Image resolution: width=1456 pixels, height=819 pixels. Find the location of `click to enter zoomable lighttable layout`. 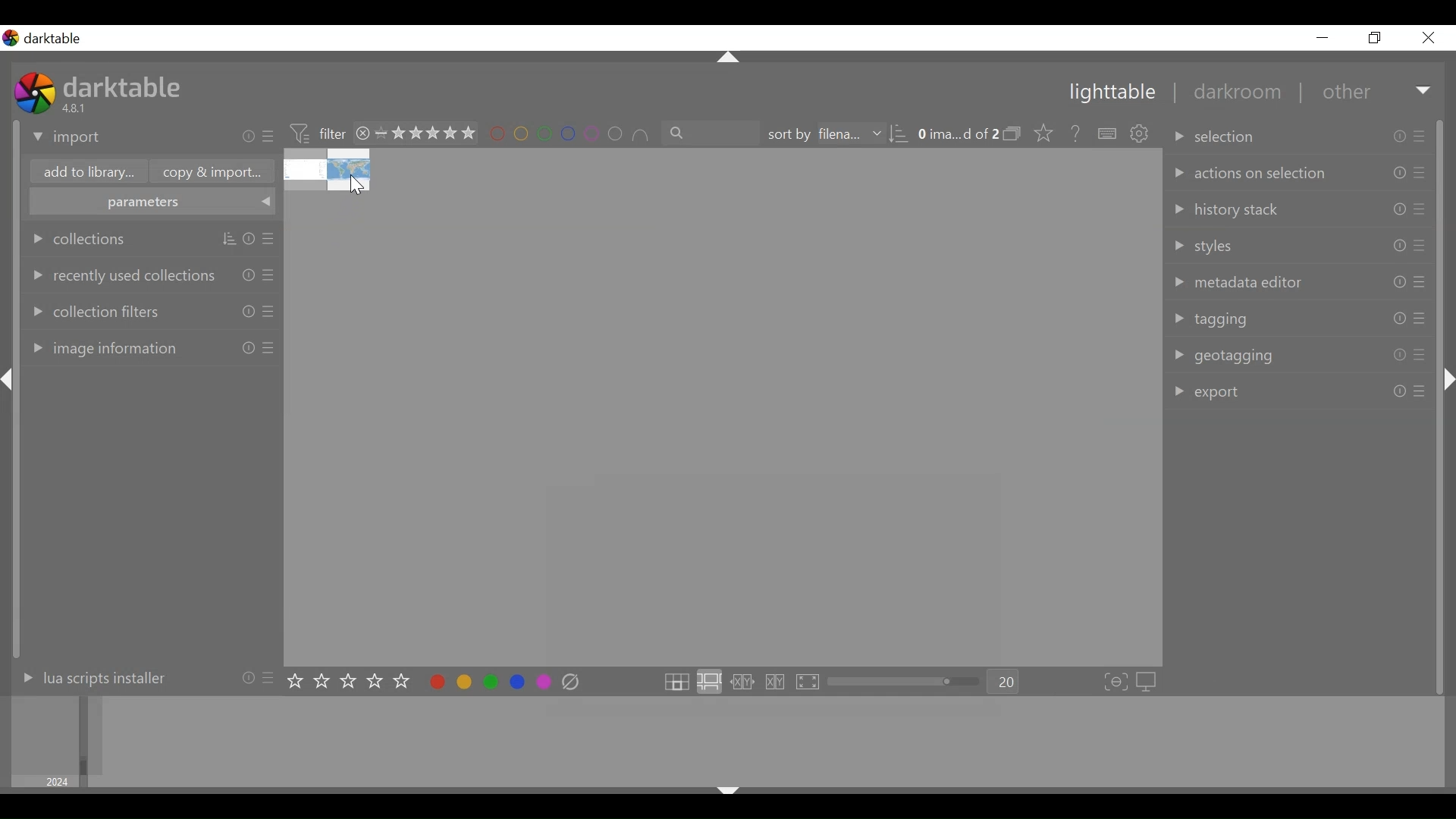

click to enter zoomable lighttable layout is located at coordinates (709, 681).